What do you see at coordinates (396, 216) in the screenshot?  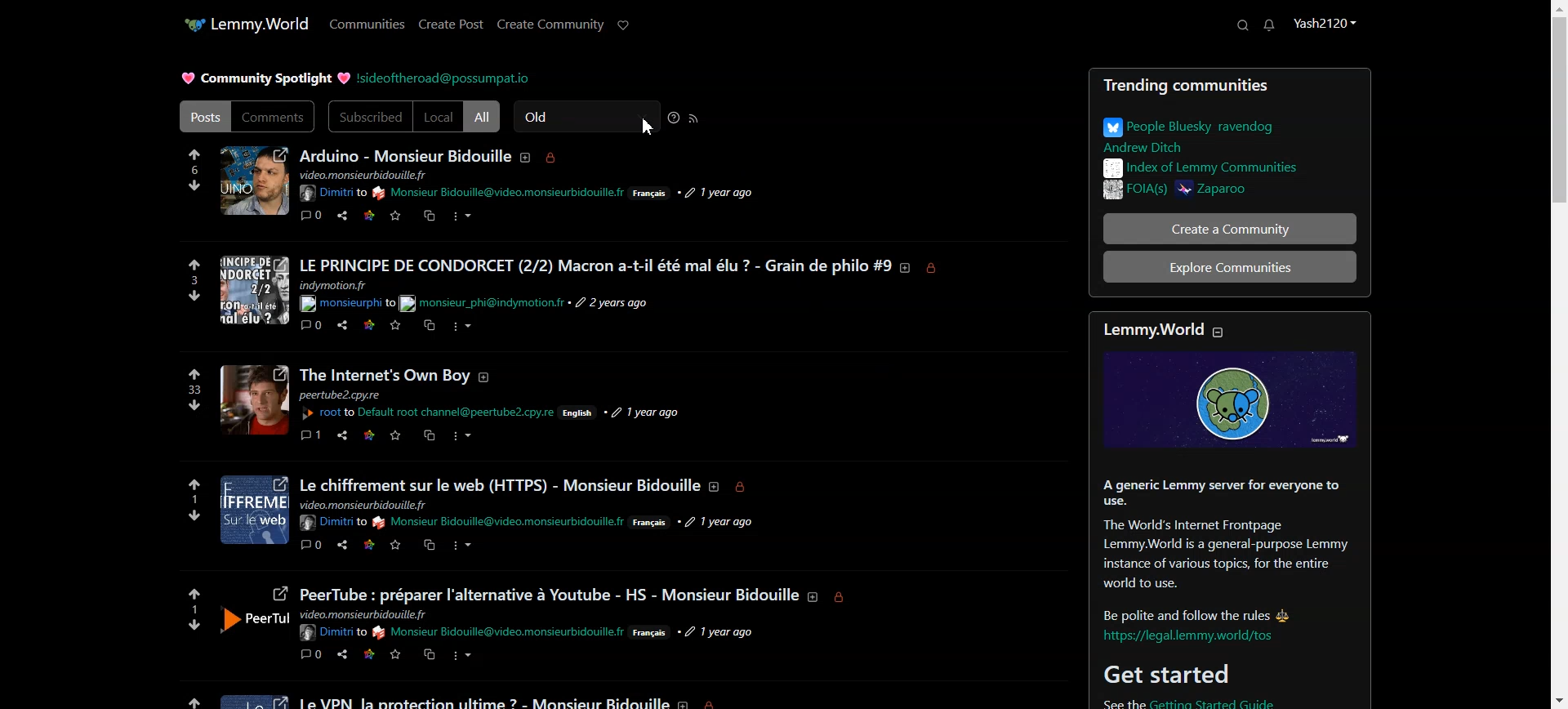 I see `Save` at bounding box center [396, 216].